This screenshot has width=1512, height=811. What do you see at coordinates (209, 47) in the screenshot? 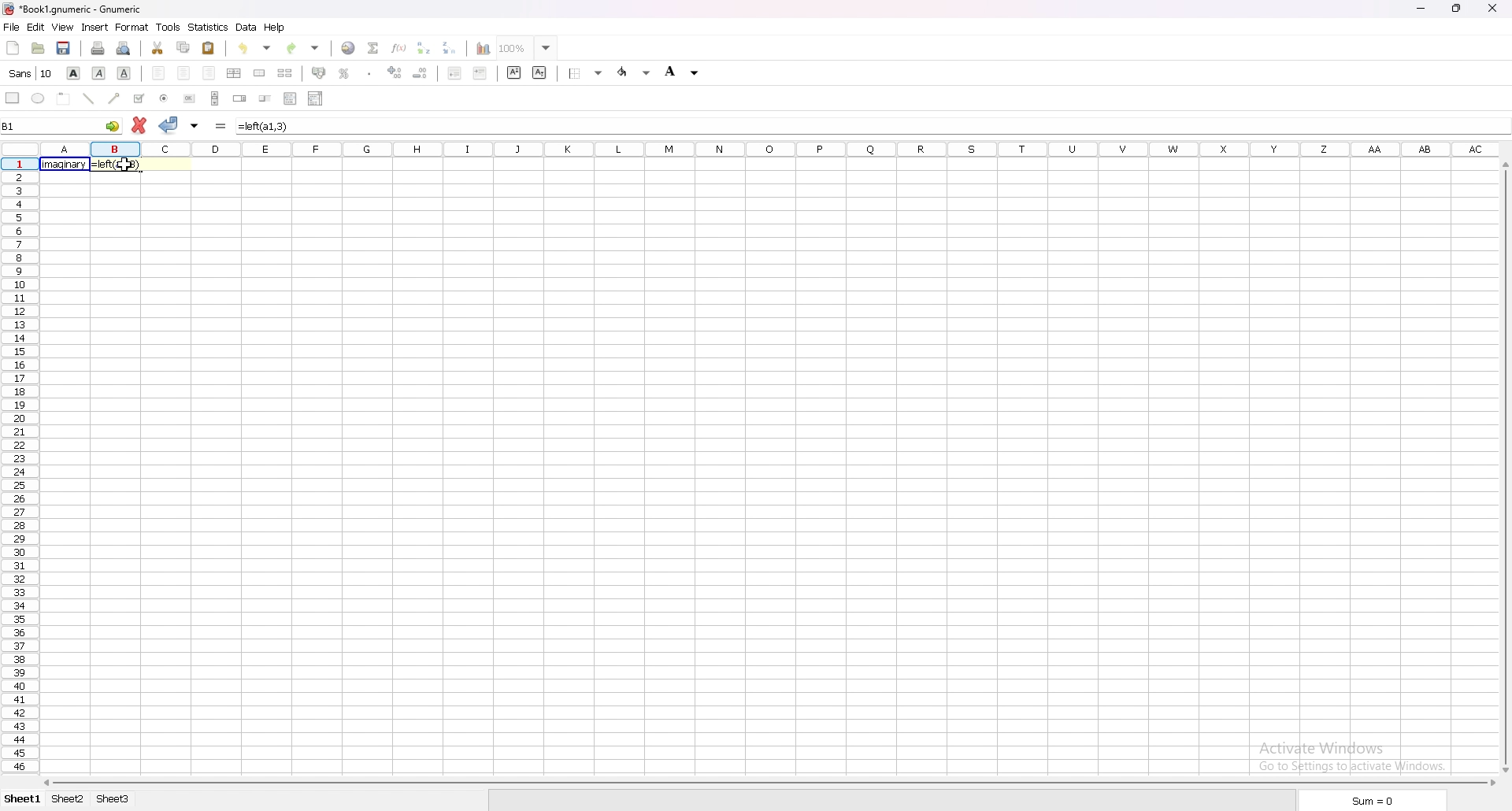
I see `paste` at bounding box center [209, 47].